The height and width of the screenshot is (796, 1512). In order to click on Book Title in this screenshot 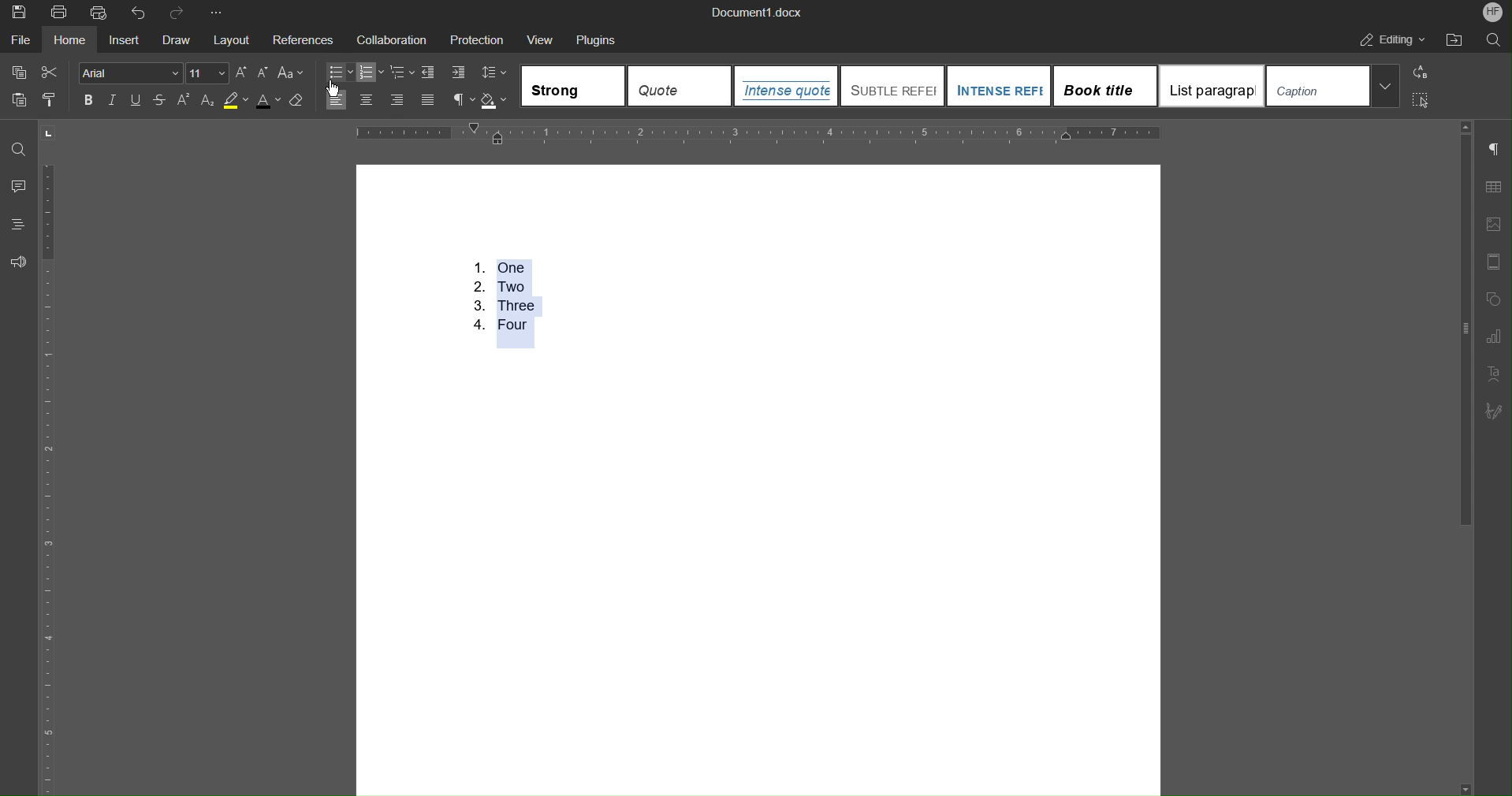, I will do `click(1105, 84)`.